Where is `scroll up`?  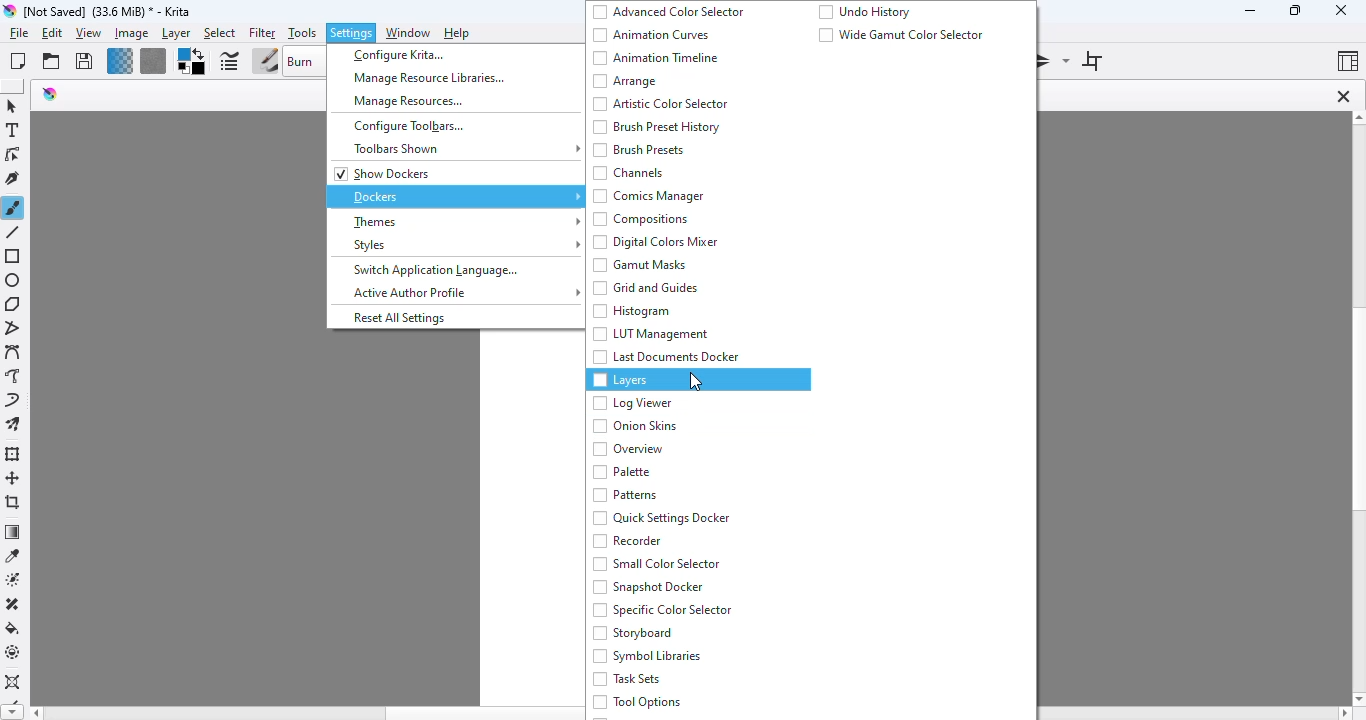
scroll up is located at coordinates (1357, 118).